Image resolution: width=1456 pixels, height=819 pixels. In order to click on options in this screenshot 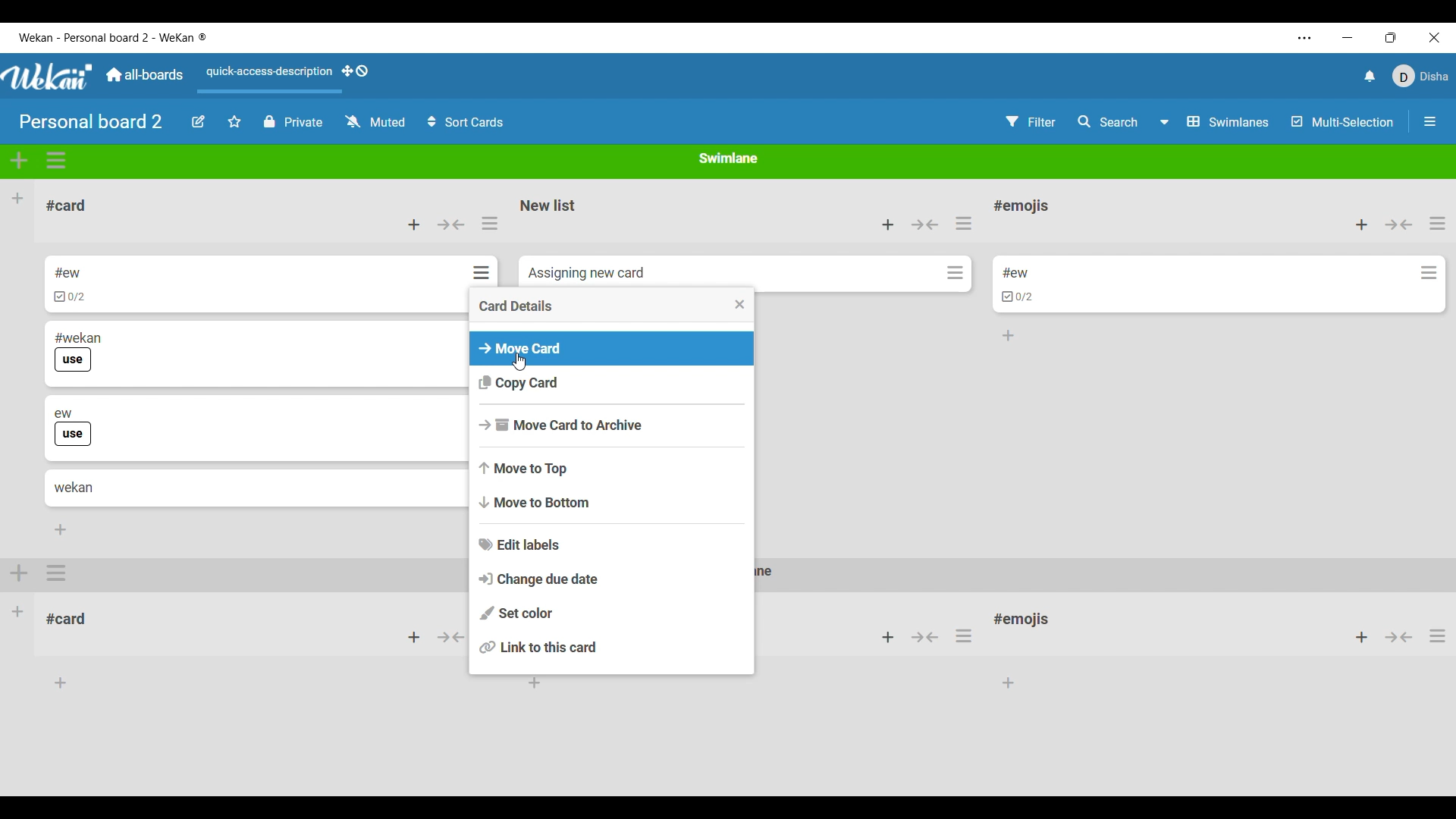, I will do `click(58, 573)`.